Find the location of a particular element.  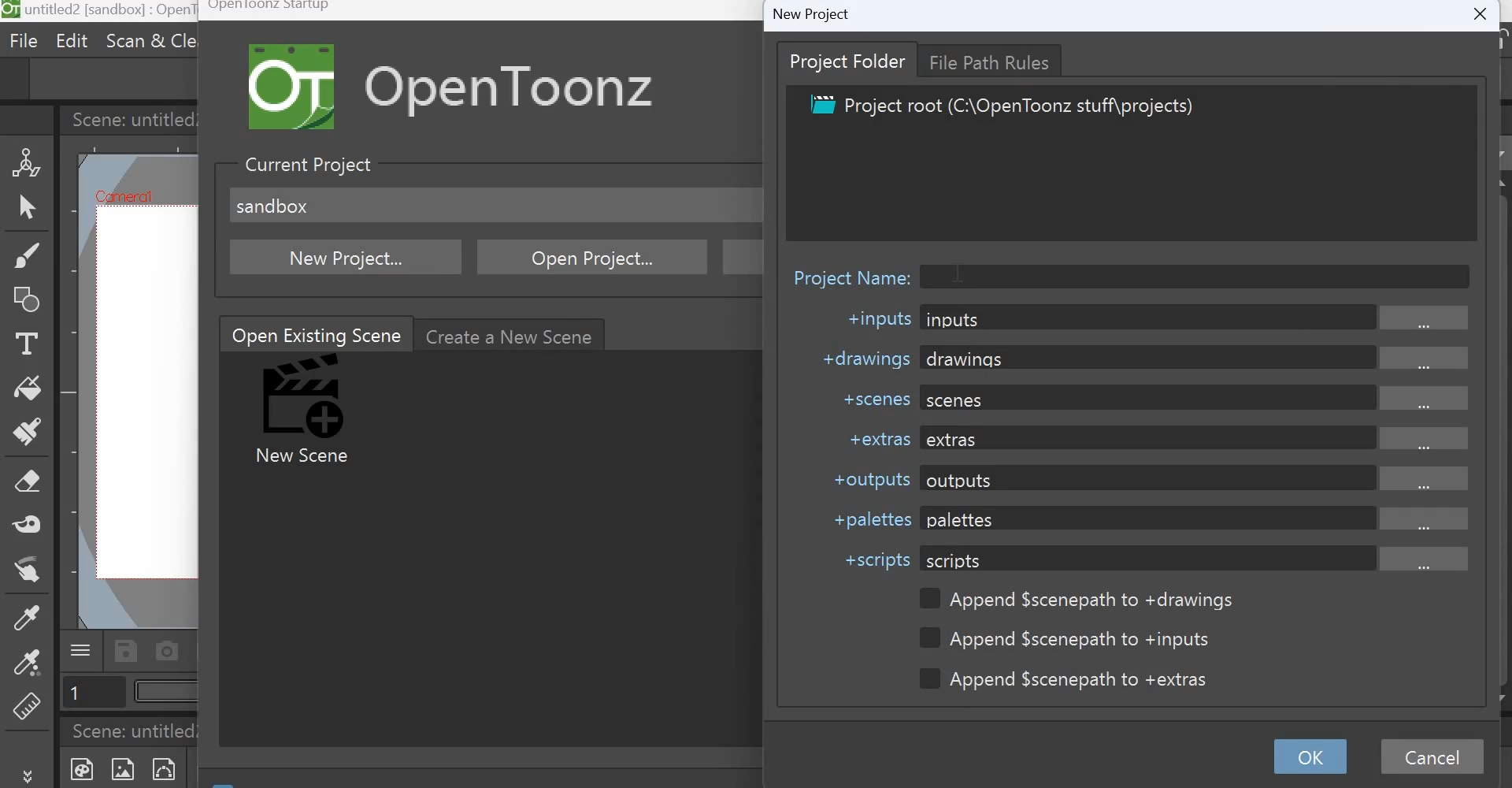

Menu is located at coordinates (81, 649).